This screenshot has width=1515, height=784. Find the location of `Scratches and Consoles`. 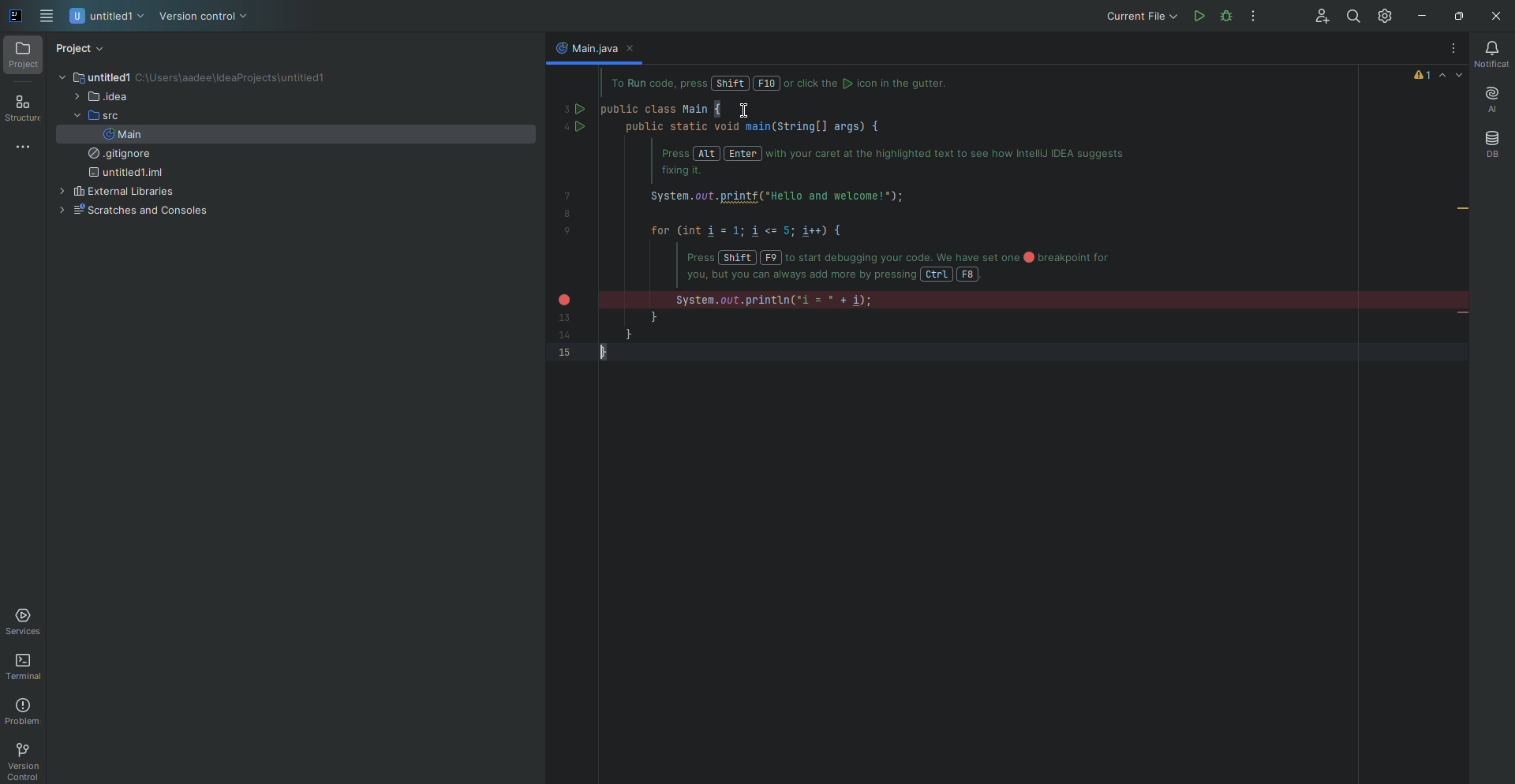

Scratches and Consoles is located at coordinates (130, 211).